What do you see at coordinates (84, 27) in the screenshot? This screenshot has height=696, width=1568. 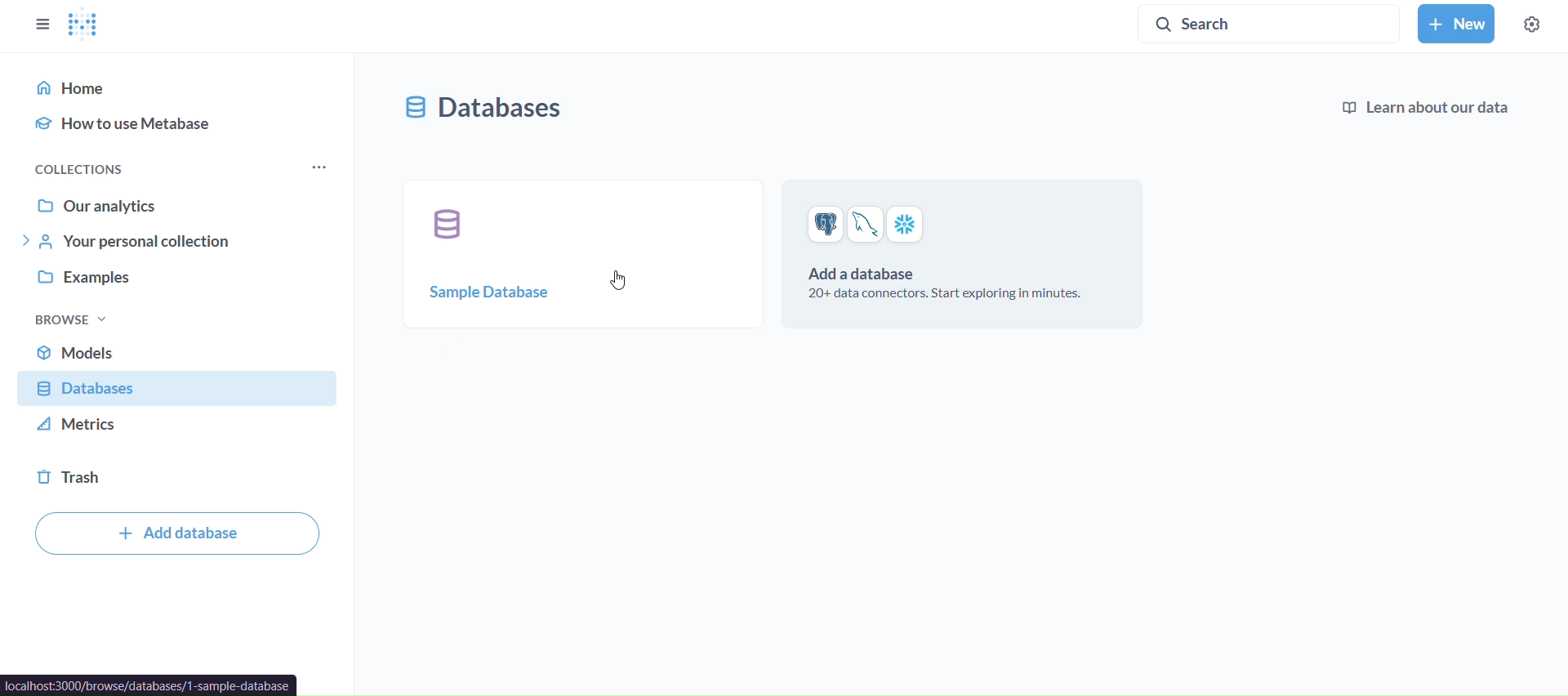 I see `logo` at bounding box center [84, 27].